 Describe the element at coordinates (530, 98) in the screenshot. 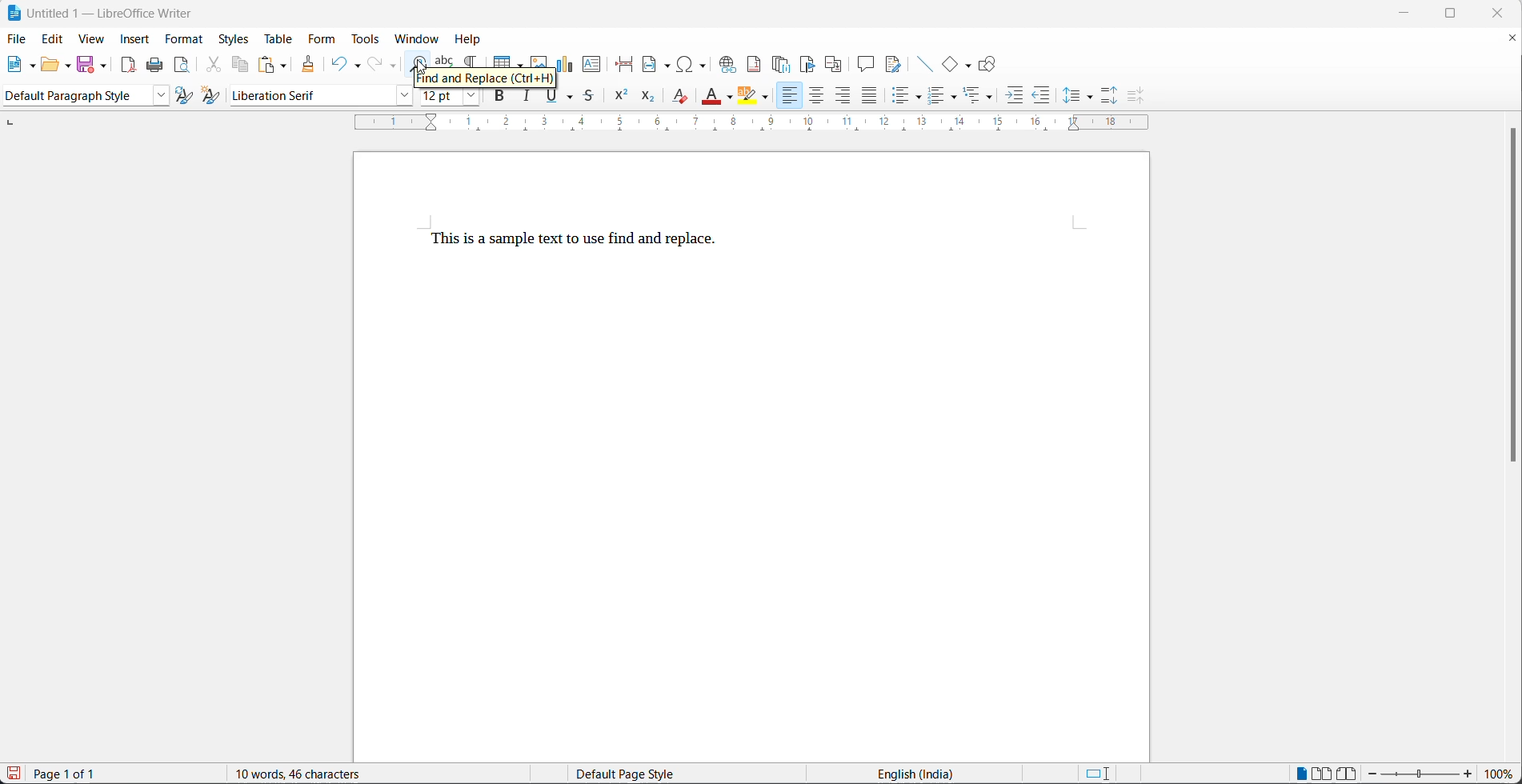

I see `italic` at that location.